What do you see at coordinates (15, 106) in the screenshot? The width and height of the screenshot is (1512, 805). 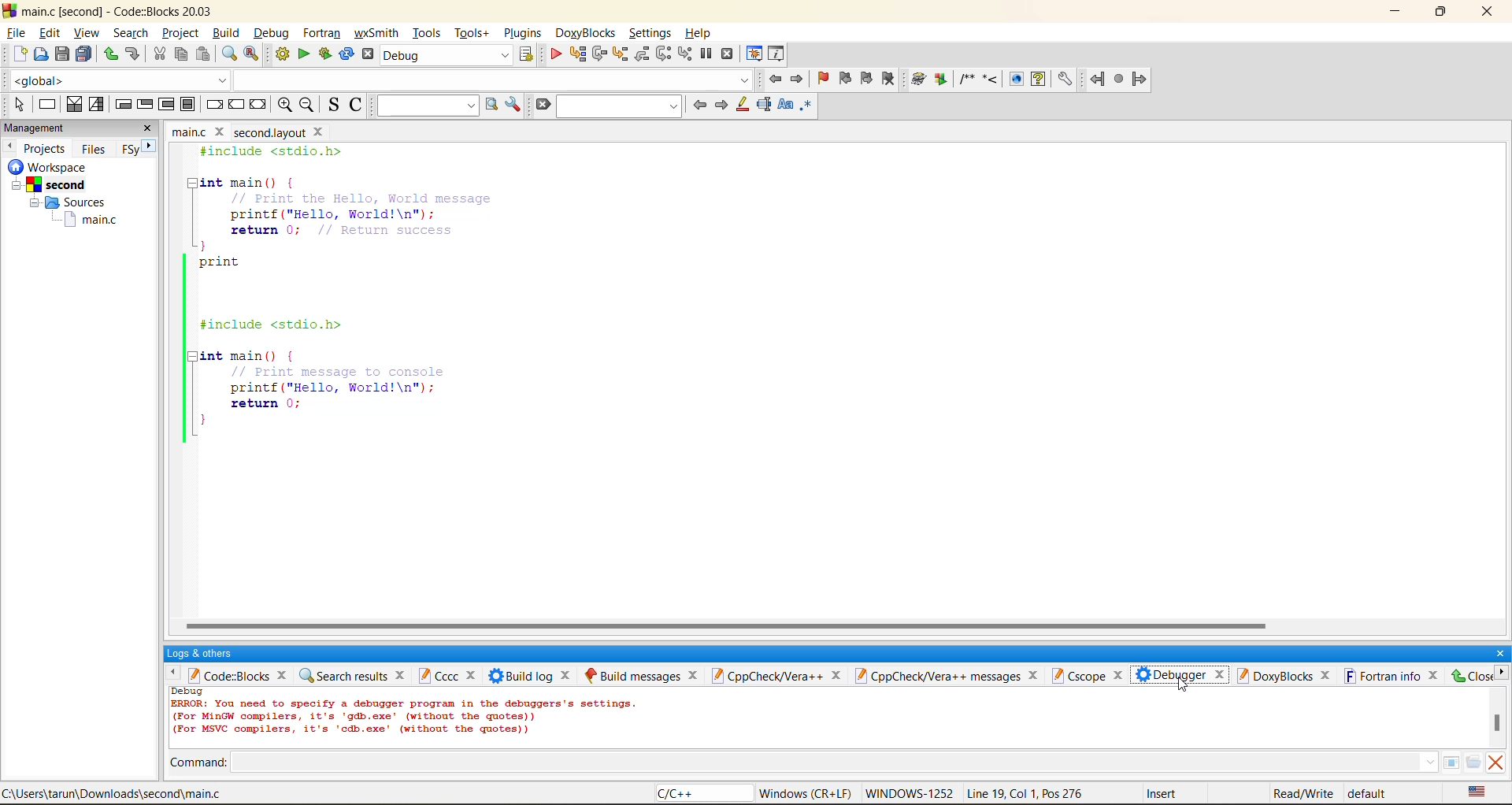 I see `select` at bounding box center [15, 106].